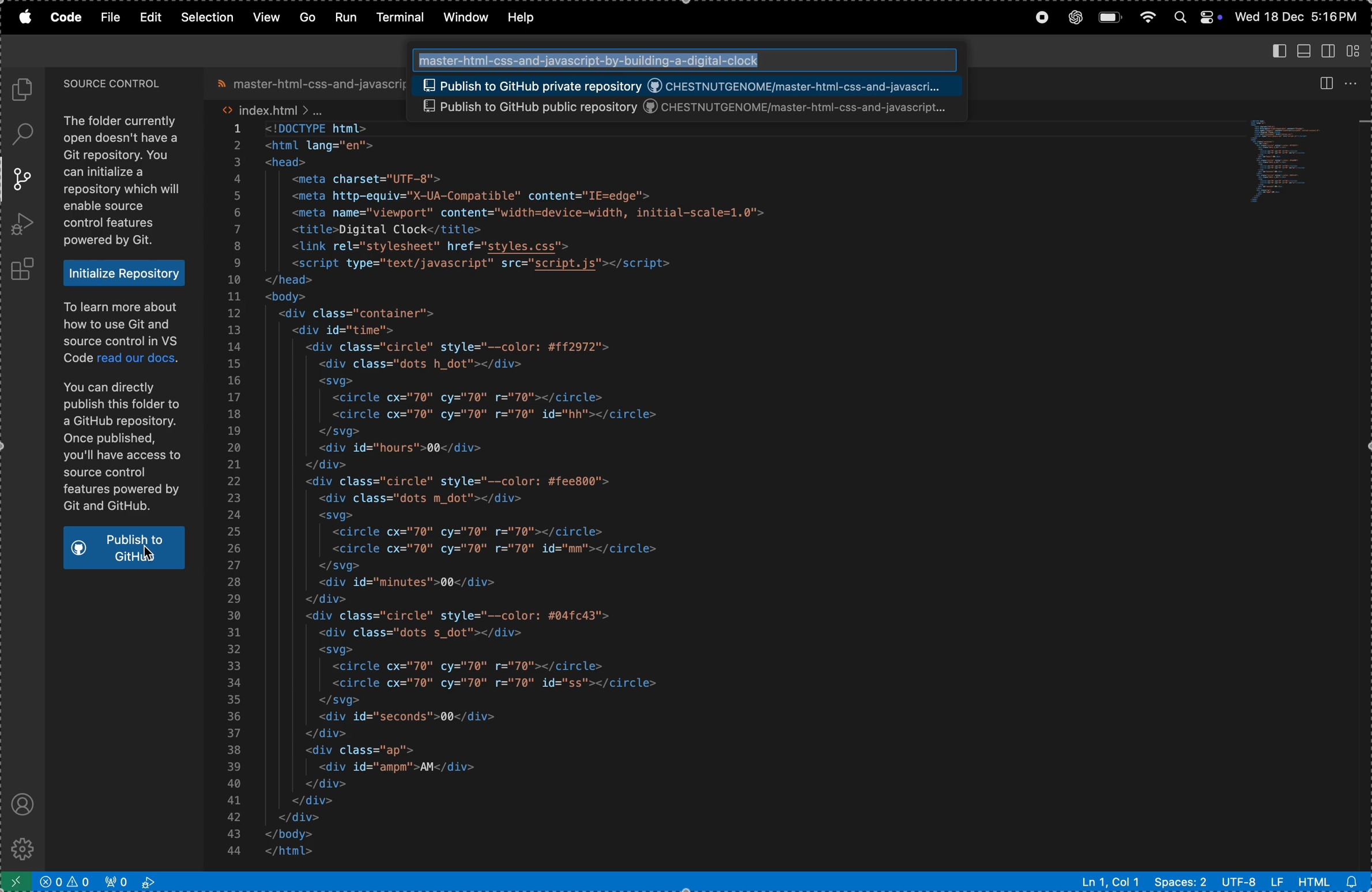 This screenshot has width=1372, height=892. I want to click on <div class="circle" style="--color: #ff2972">, so click(469, 347).